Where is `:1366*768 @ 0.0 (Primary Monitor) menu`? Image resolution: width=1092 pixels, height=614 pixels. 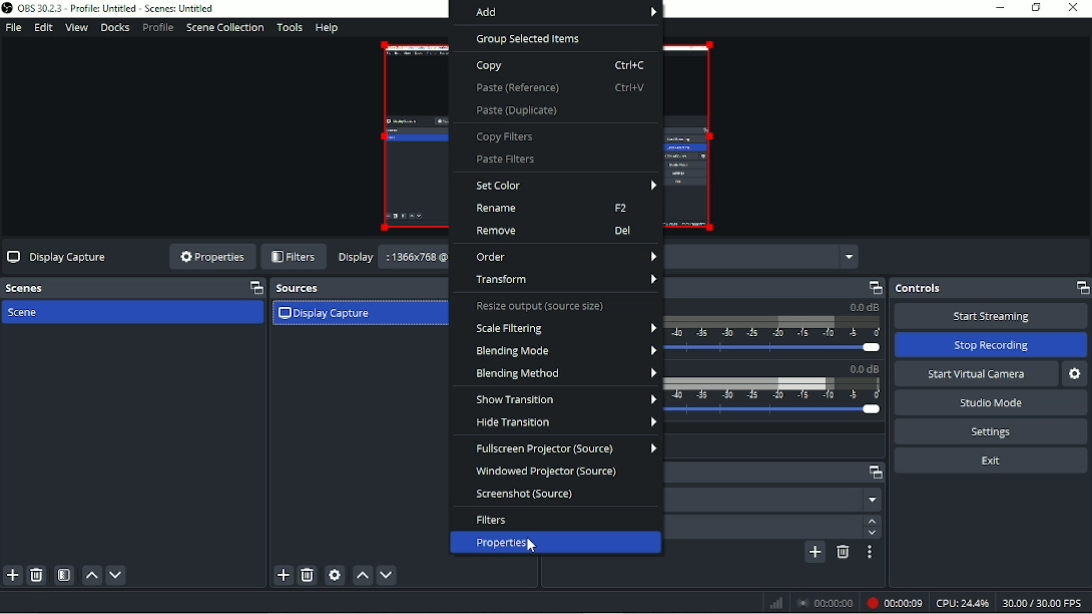 :1366*768 @ 0.0 (Primary Monitor) menu is located at coordinates (417, 259).